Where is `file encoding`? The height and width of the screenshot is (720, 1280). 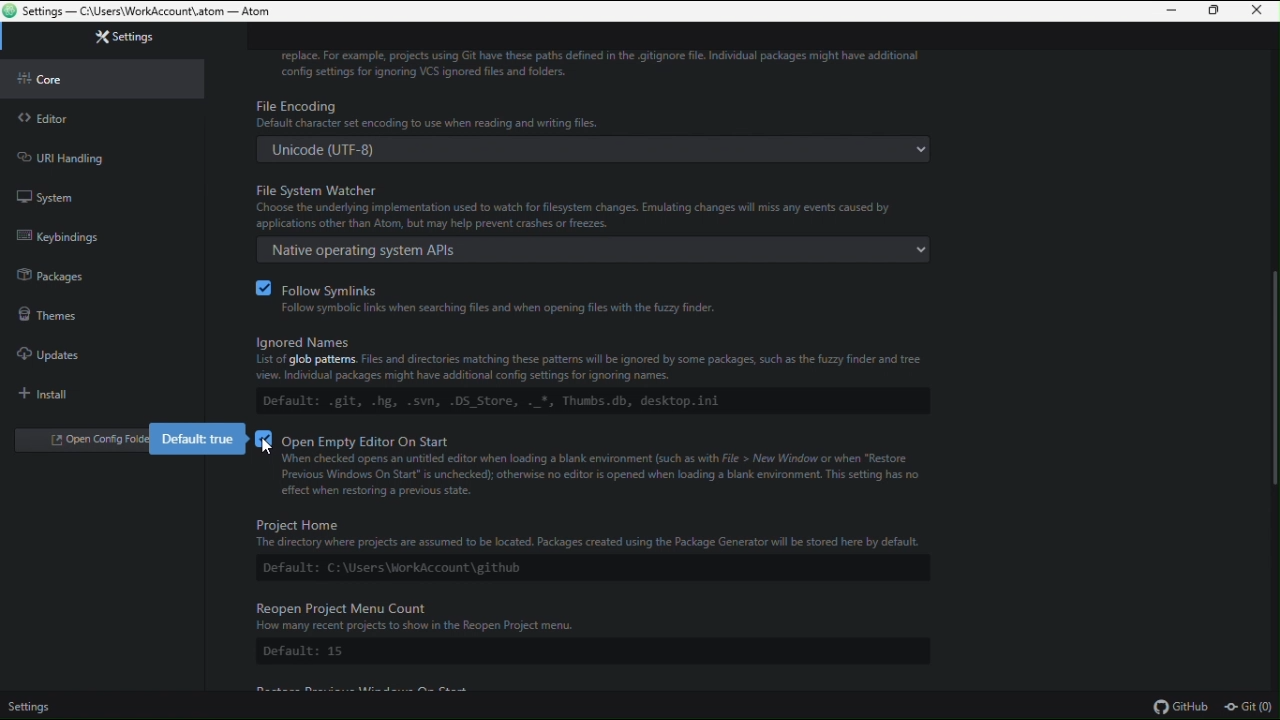
file encoding is located at coordinates (587, 112).